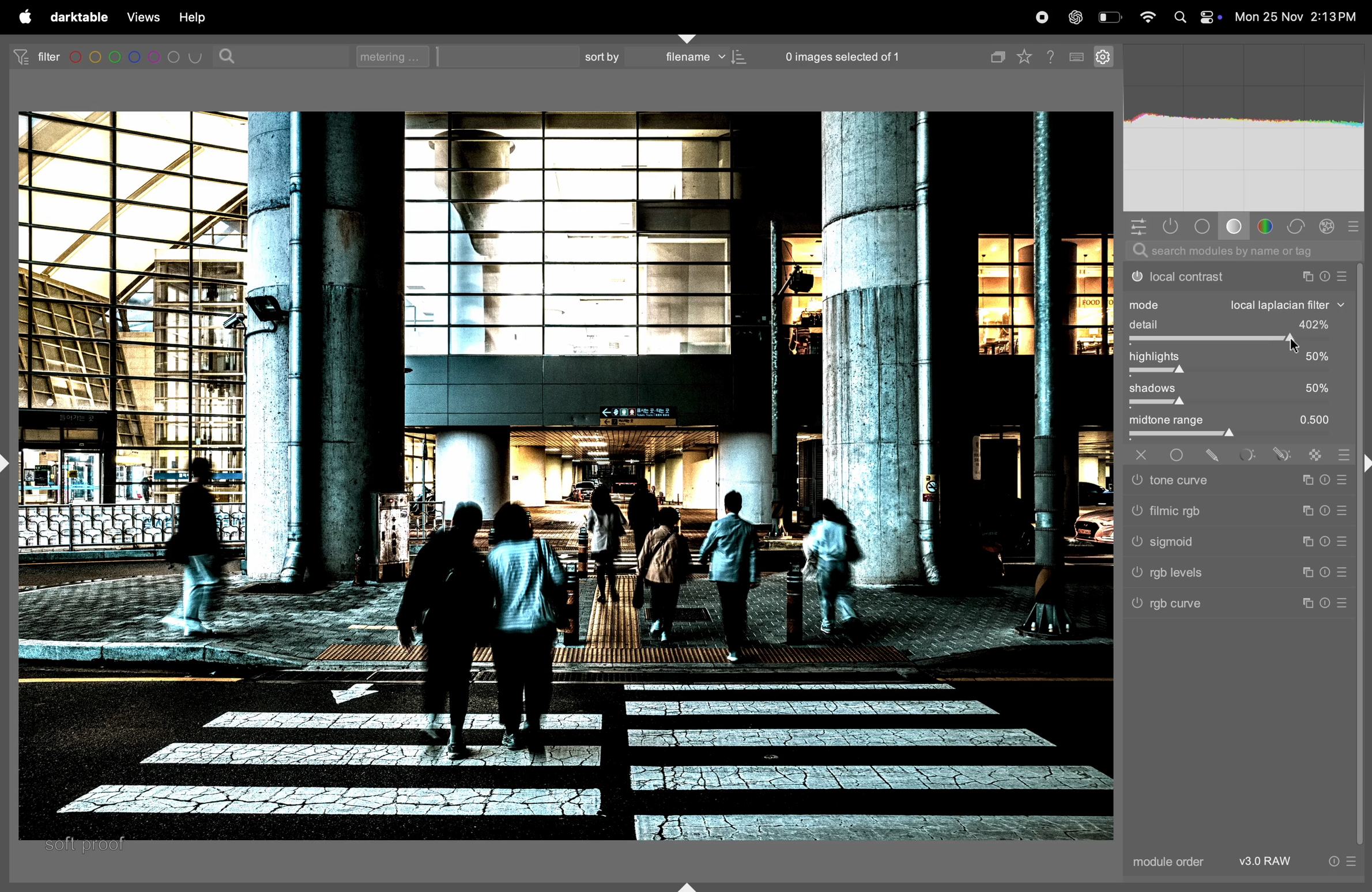 The image size is (1372, 892). Describe the element at coordinates (1238, 342) in the screenshot. I see `toggle` at that location.